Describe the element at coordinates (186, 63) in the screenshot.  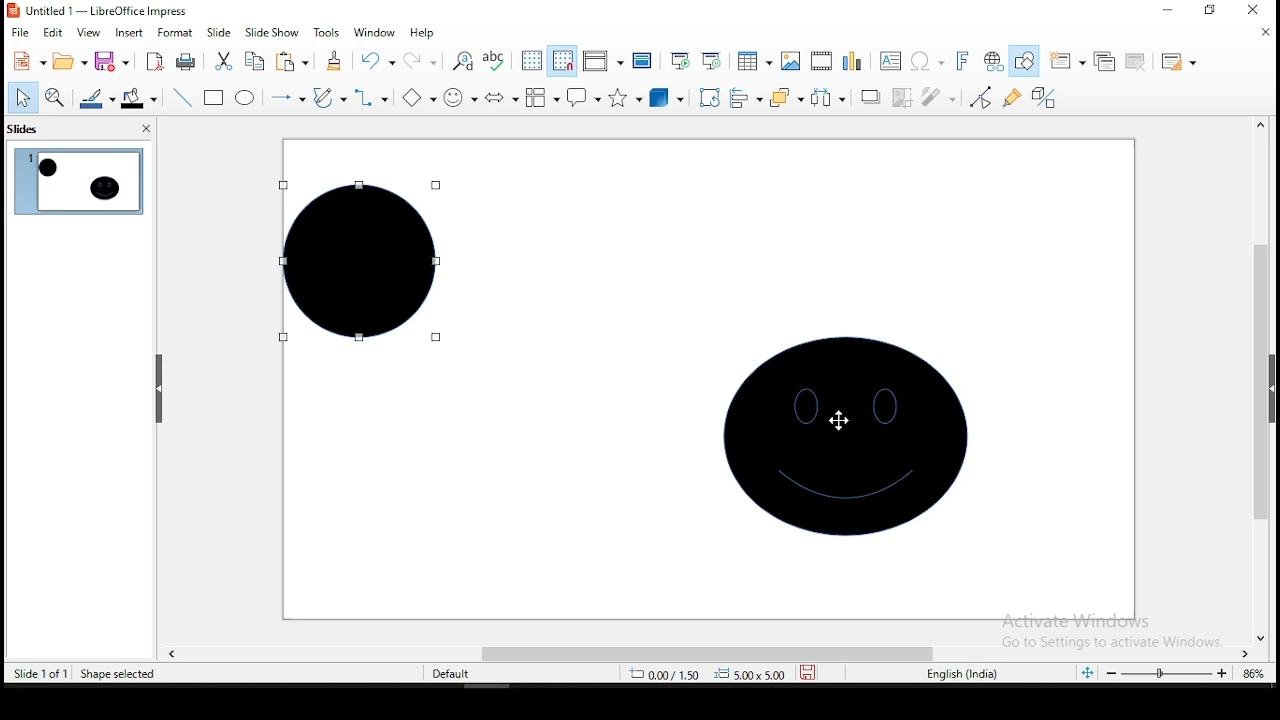
I see `print` at that location.